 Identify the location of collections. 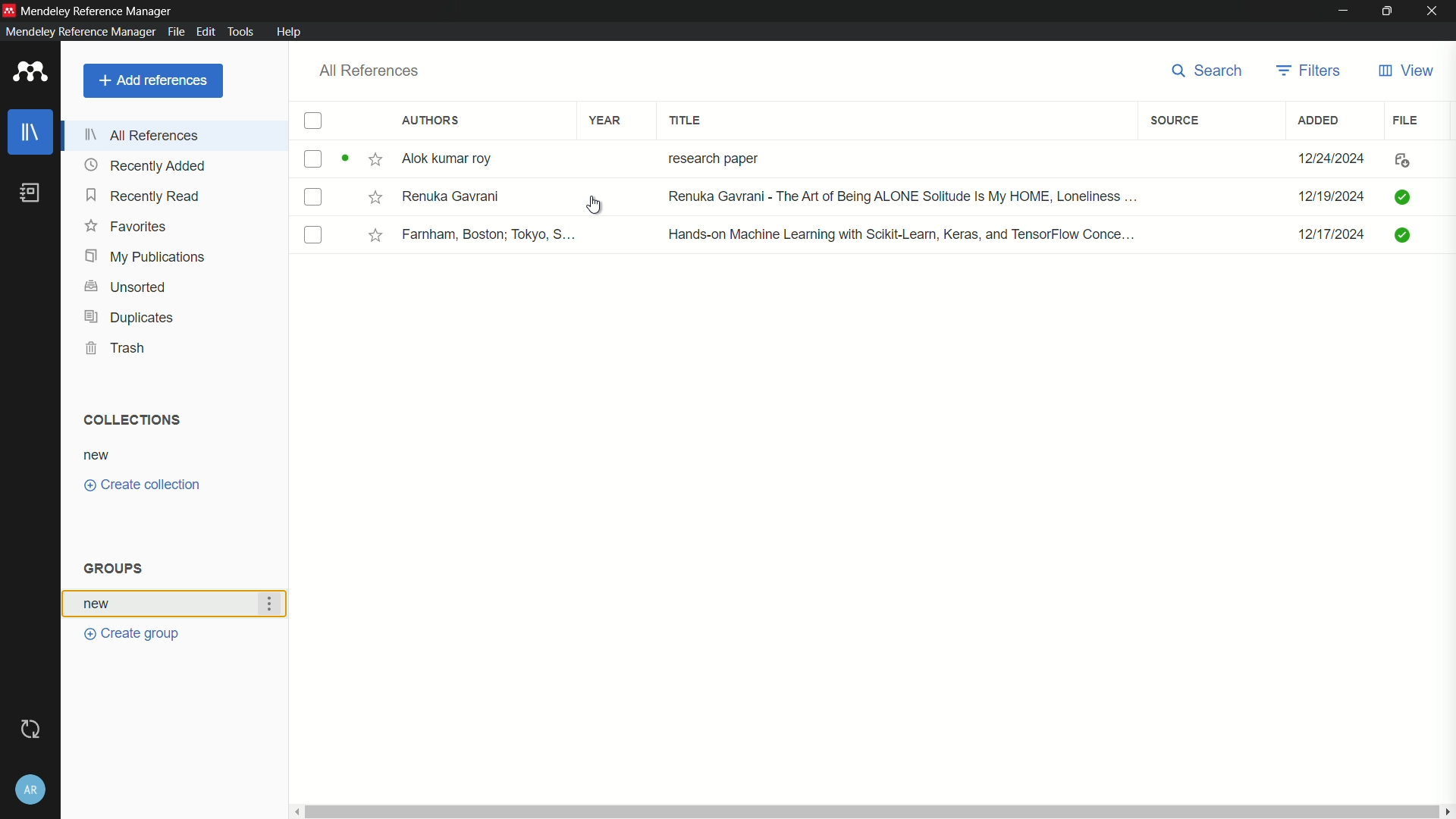
(128, 419).